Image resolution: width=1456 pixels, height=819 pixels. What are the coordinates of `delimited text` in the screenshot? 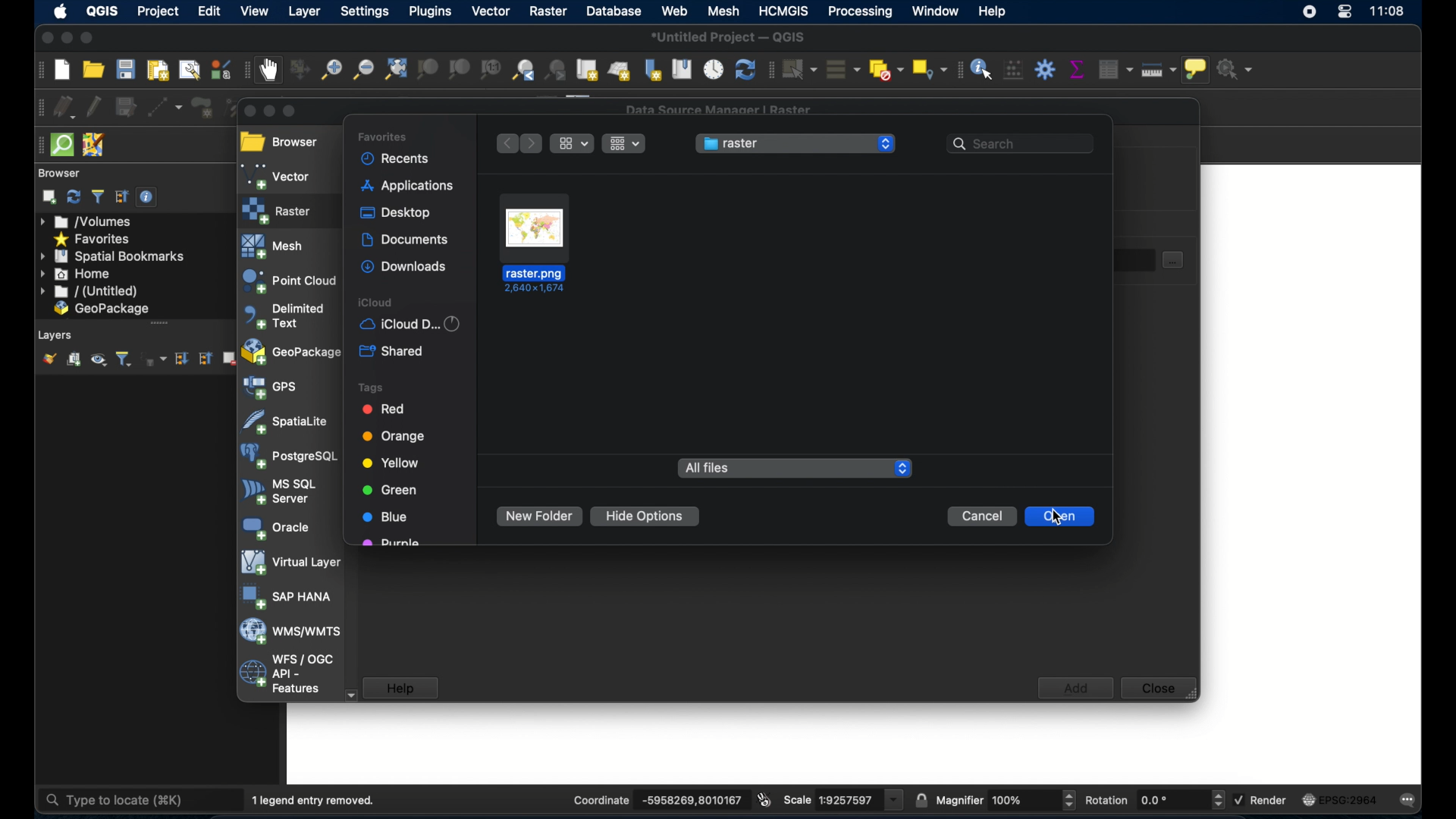 It's located at (284, 317).